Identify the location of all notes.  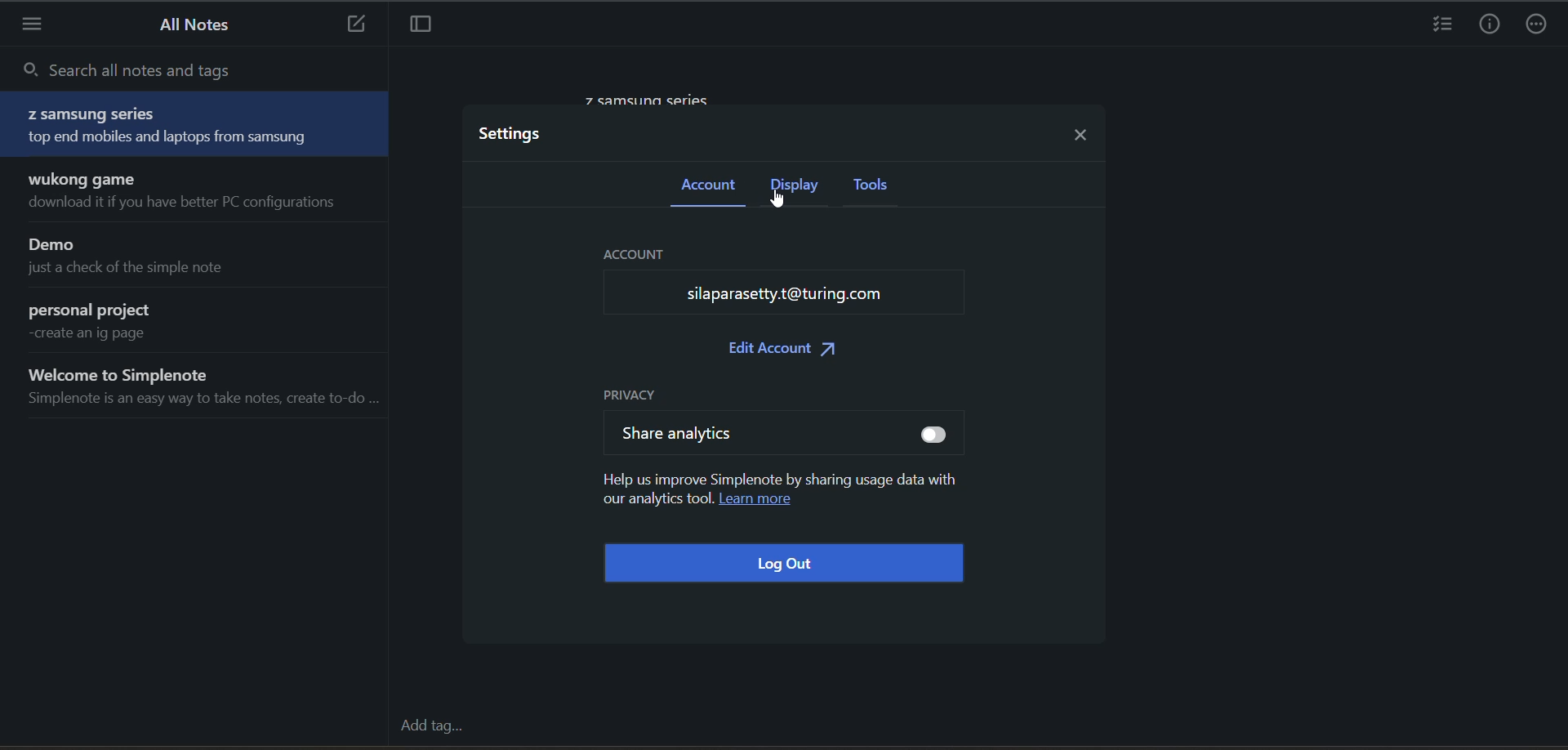
(189, 25).